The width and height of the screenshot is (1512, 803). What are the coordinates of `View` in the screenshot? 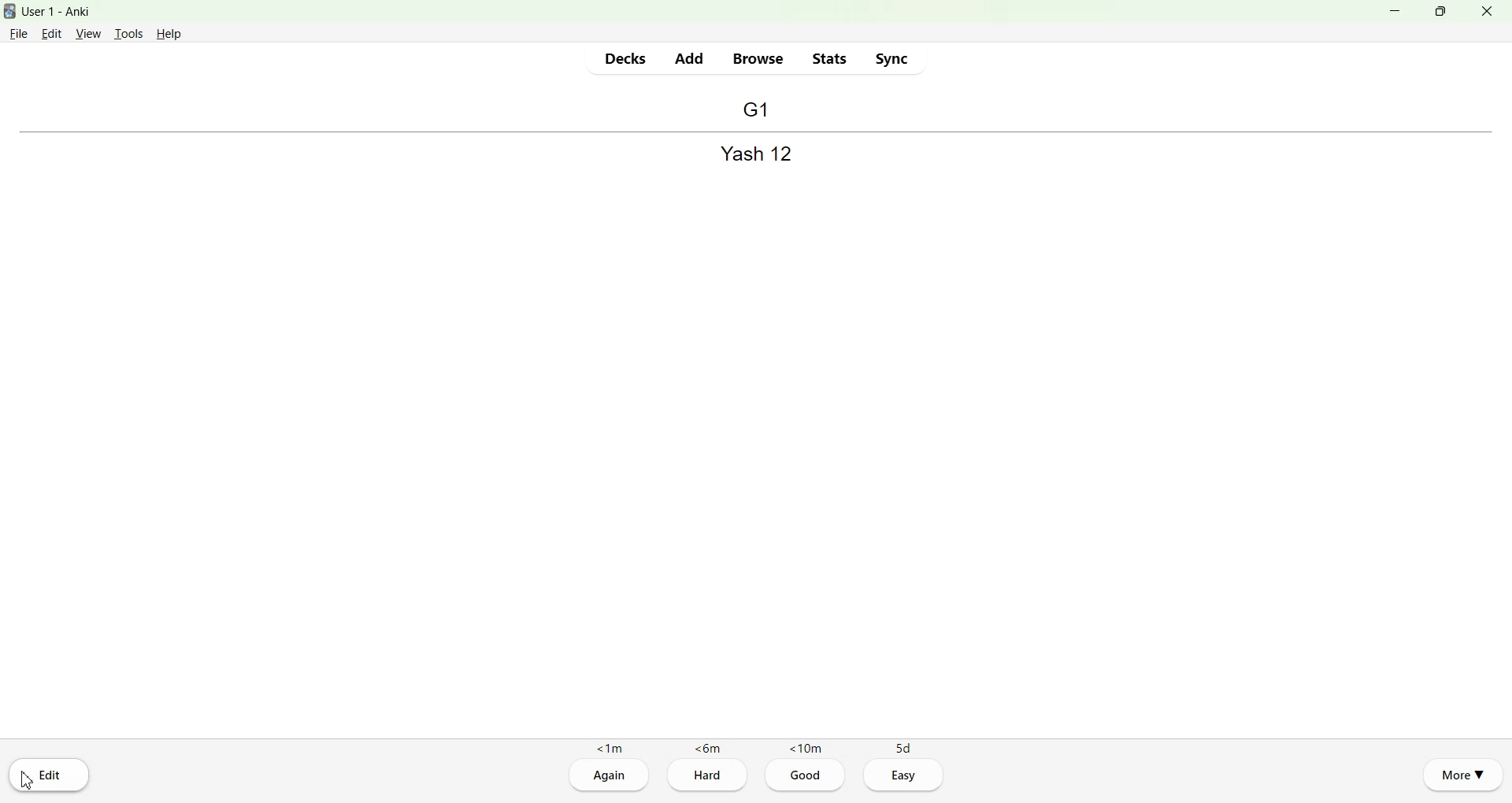 It's located at (89, 33).